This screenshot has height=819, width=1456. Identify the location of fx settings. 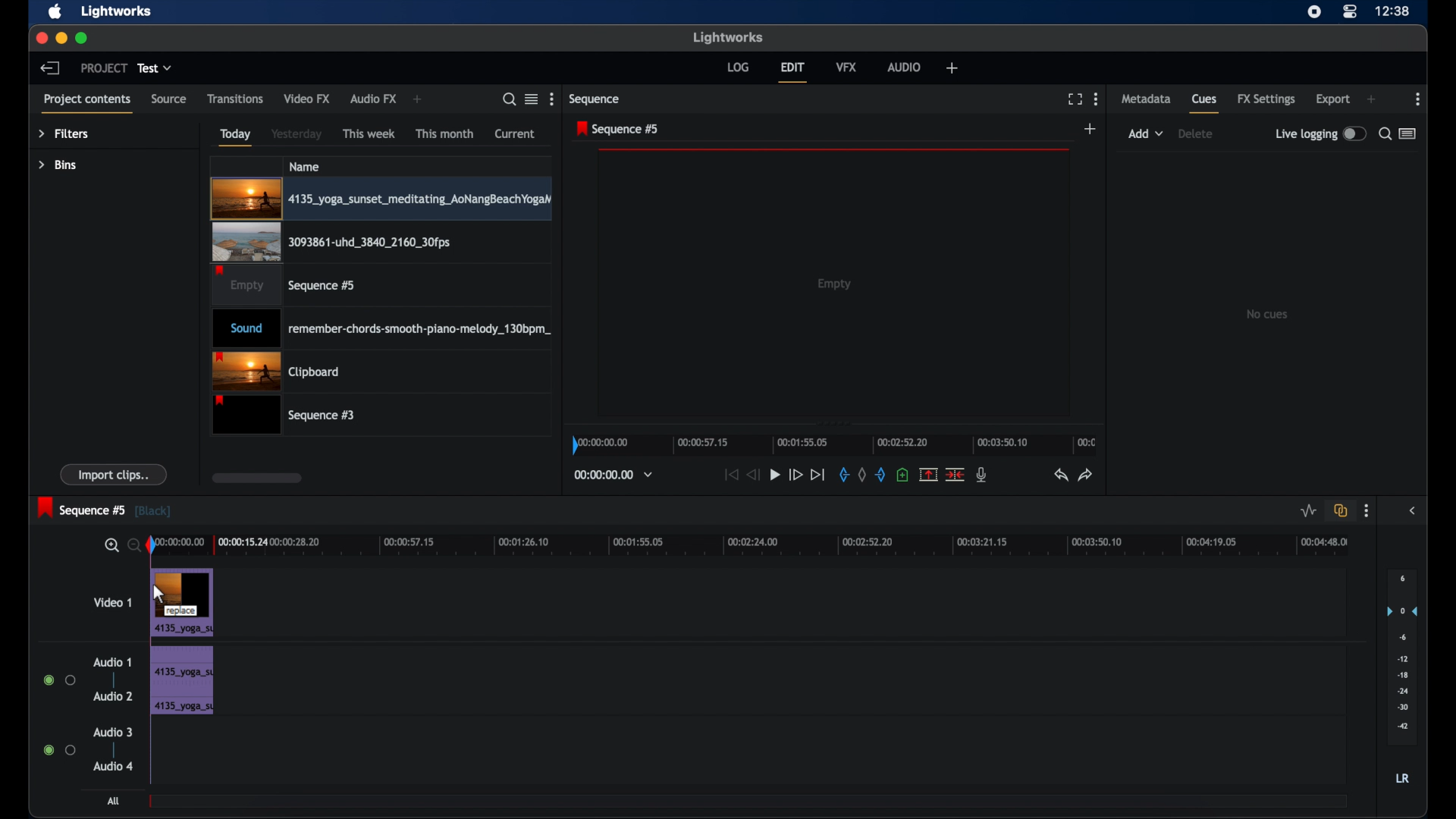
(1266, 99).